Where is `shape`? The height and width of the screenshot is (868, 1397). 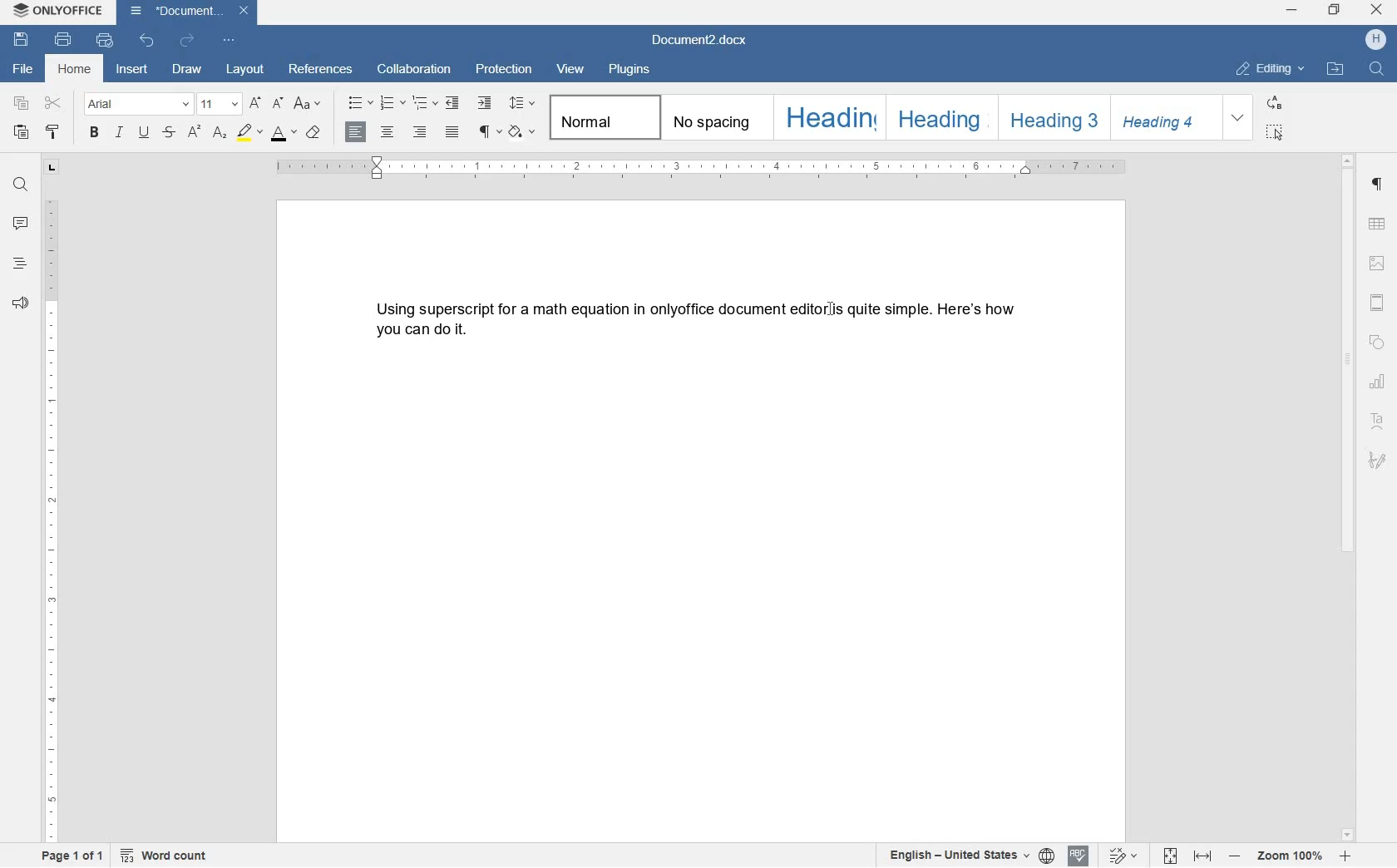
shape is located at coordinates (1376, 344).